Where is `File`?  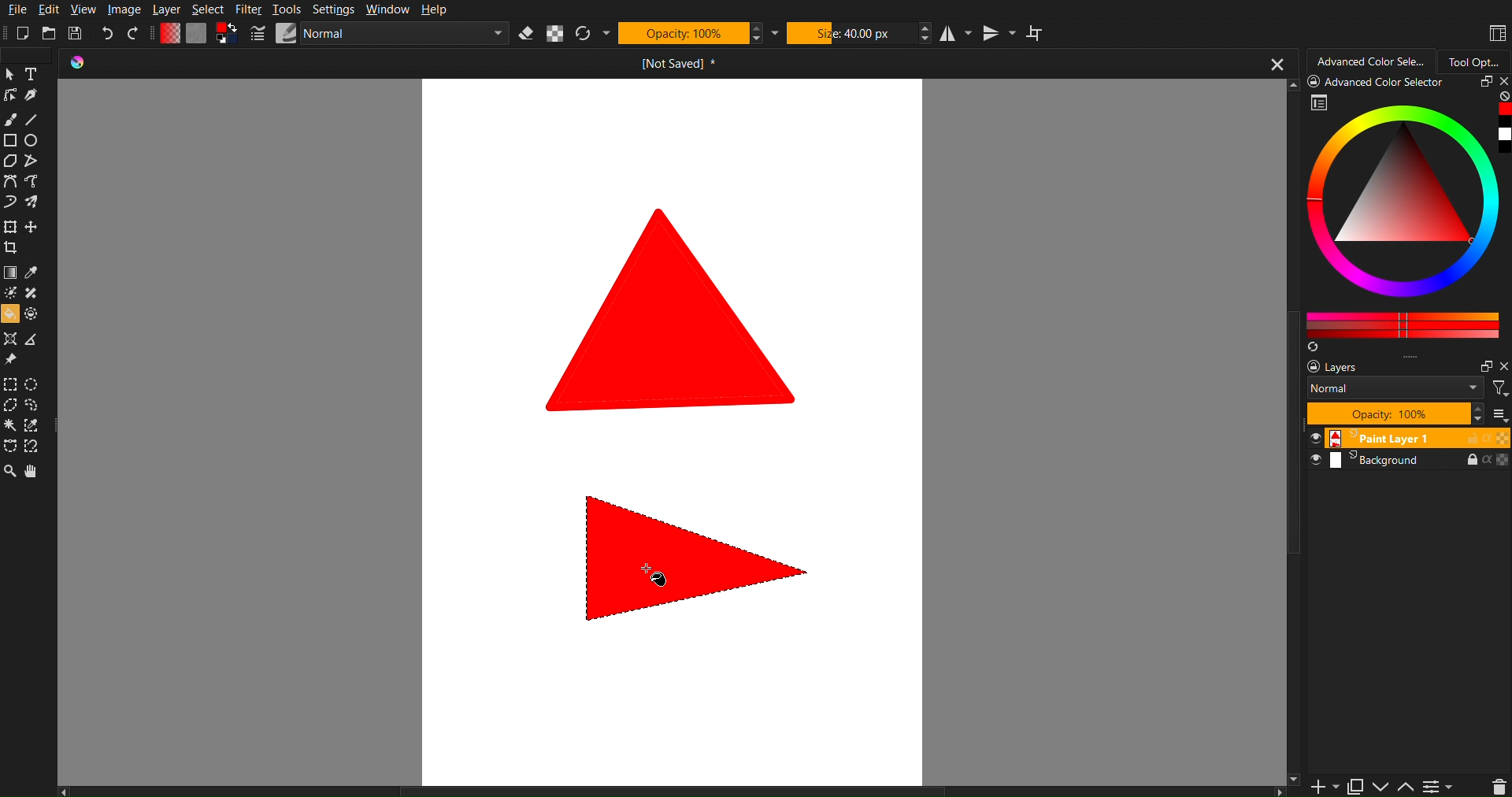
File is located at coordinates (15, 9).